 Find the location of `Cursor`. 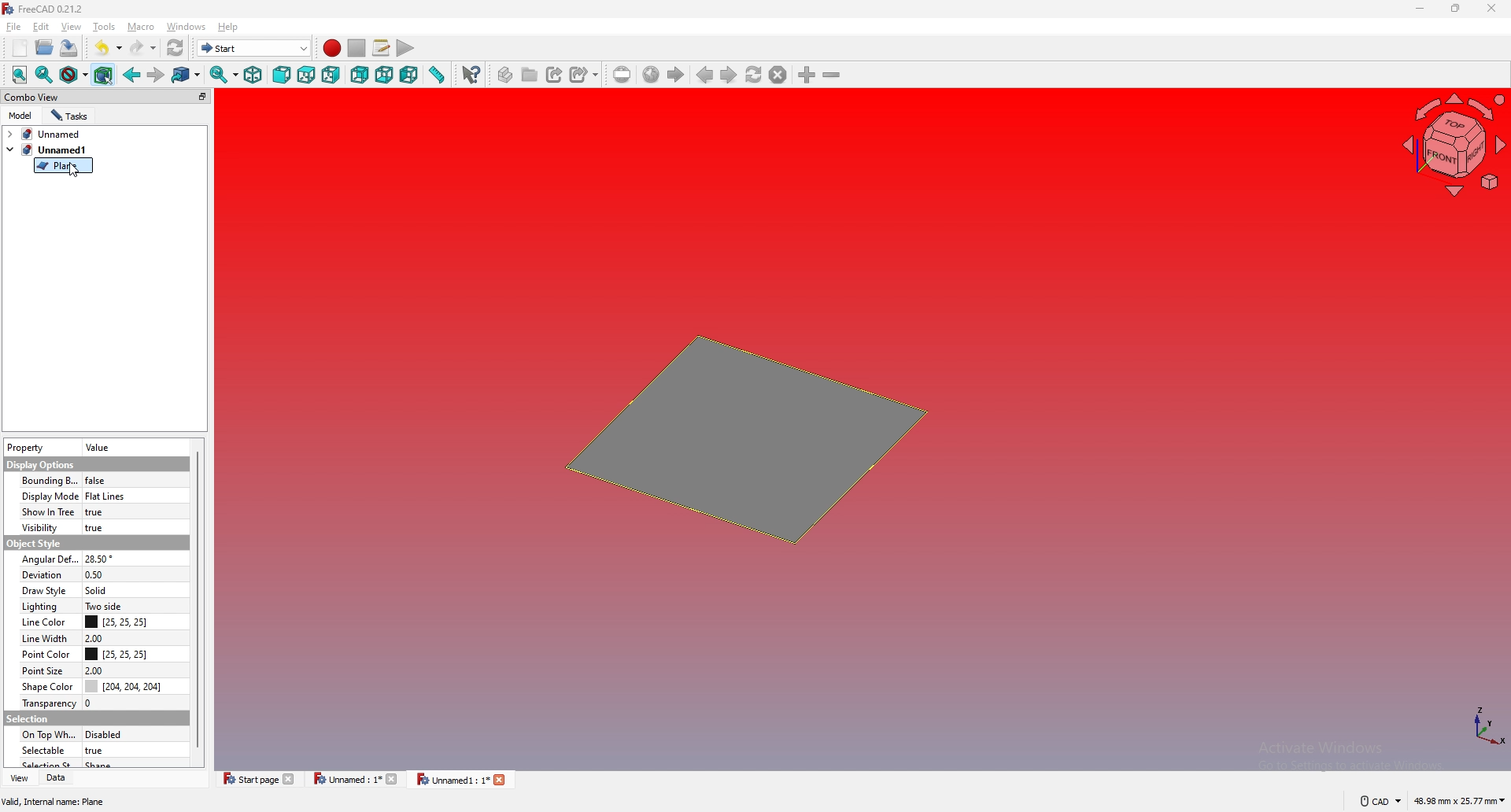

Cursor is located at coordinates (79, 172).